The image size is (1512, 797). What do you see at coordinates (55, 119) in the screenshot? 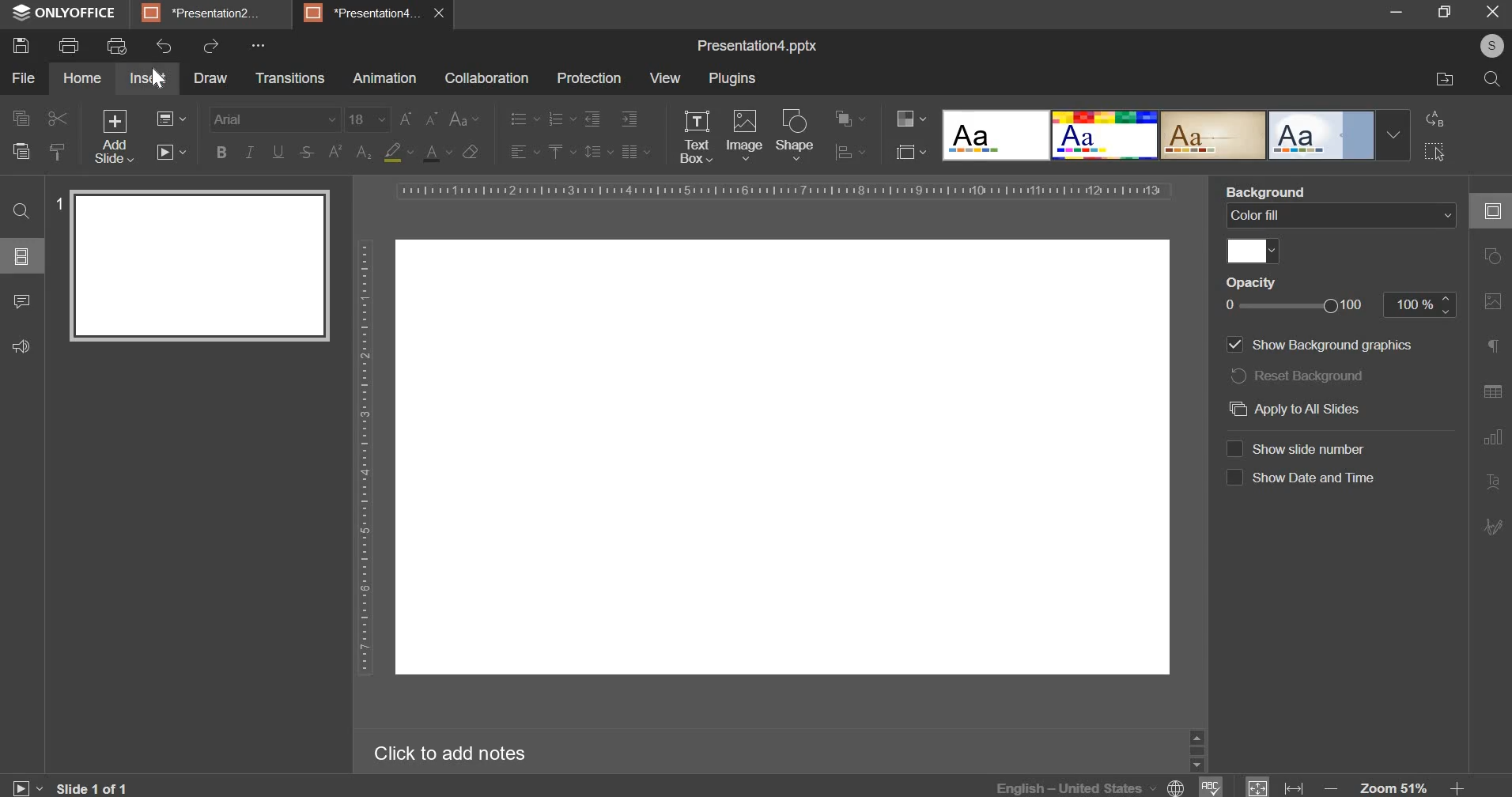
I see `cut` at bounding box center [55, 119].